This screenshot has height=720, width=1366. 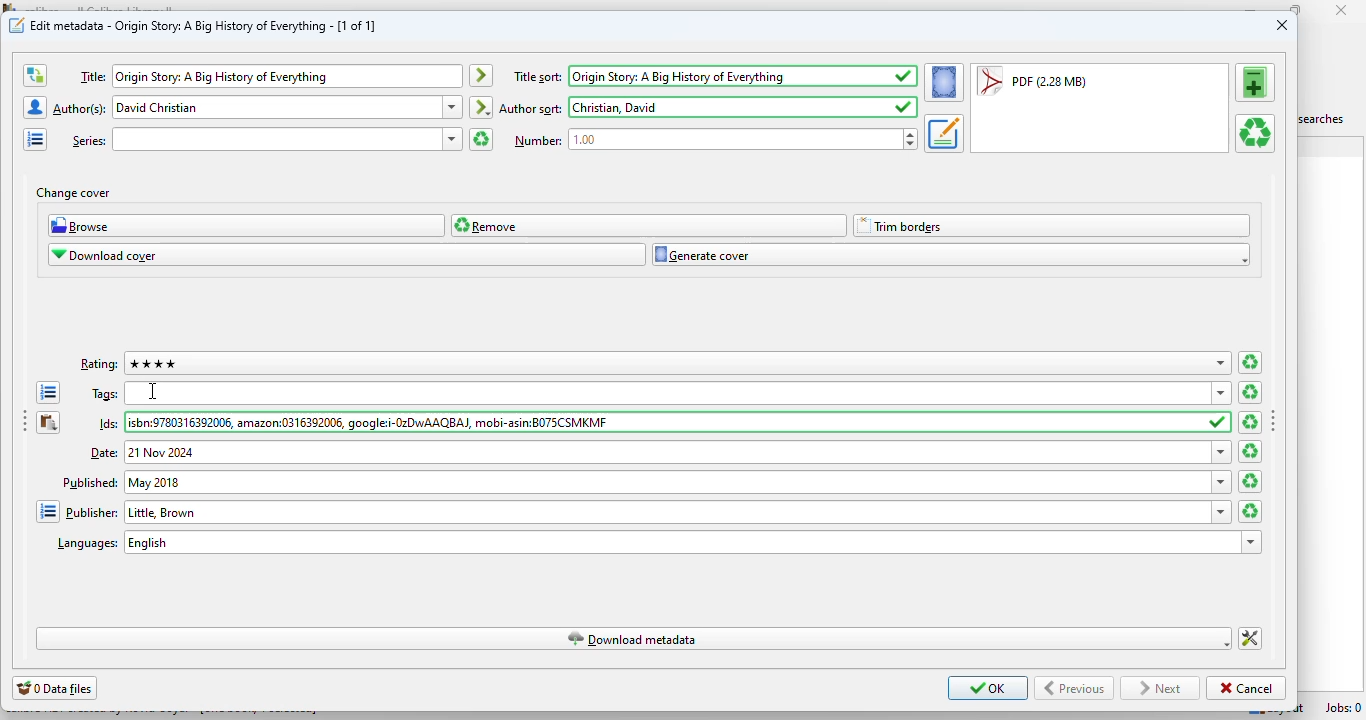 What do you see at coordinates (277, 139) in the screenshot?
I see `series` at bounding box center [277, 139].